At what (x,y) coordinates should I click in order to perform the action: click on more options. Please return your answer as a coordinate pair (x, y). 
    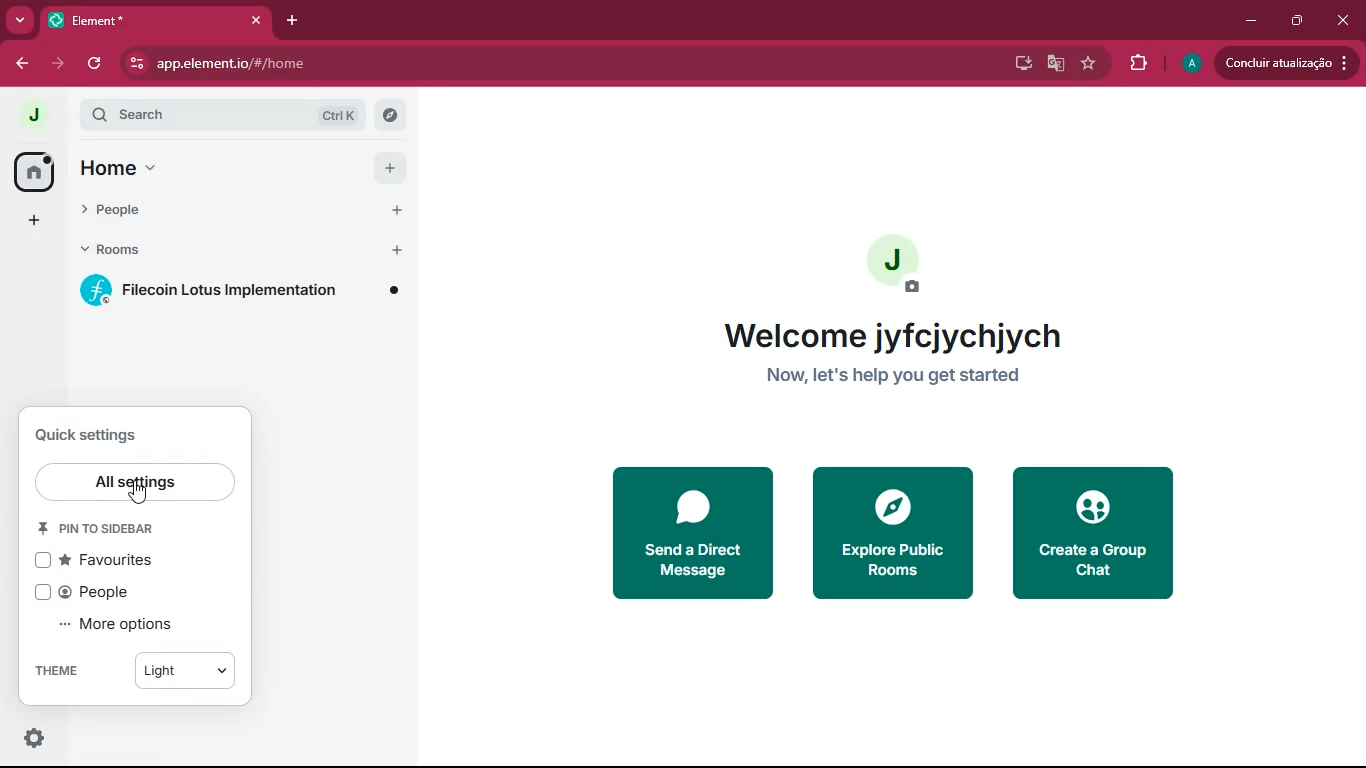
    Looking at the image, I should click on (119, 623).